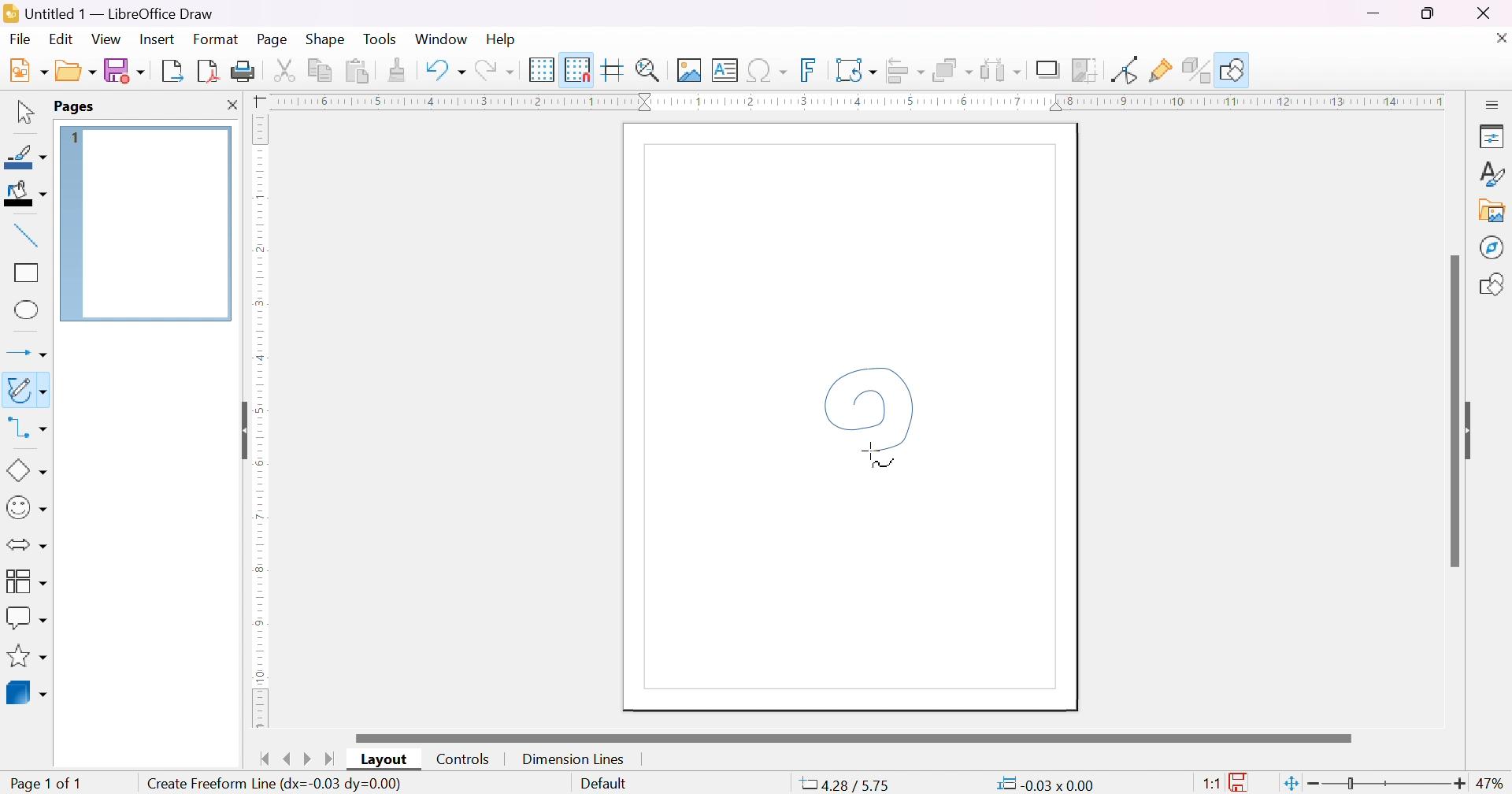 The height and width of the screenshot is (794, 1512). Describe the element at coordinates (75, 107) in the screenshot. I see `pages` at that location.